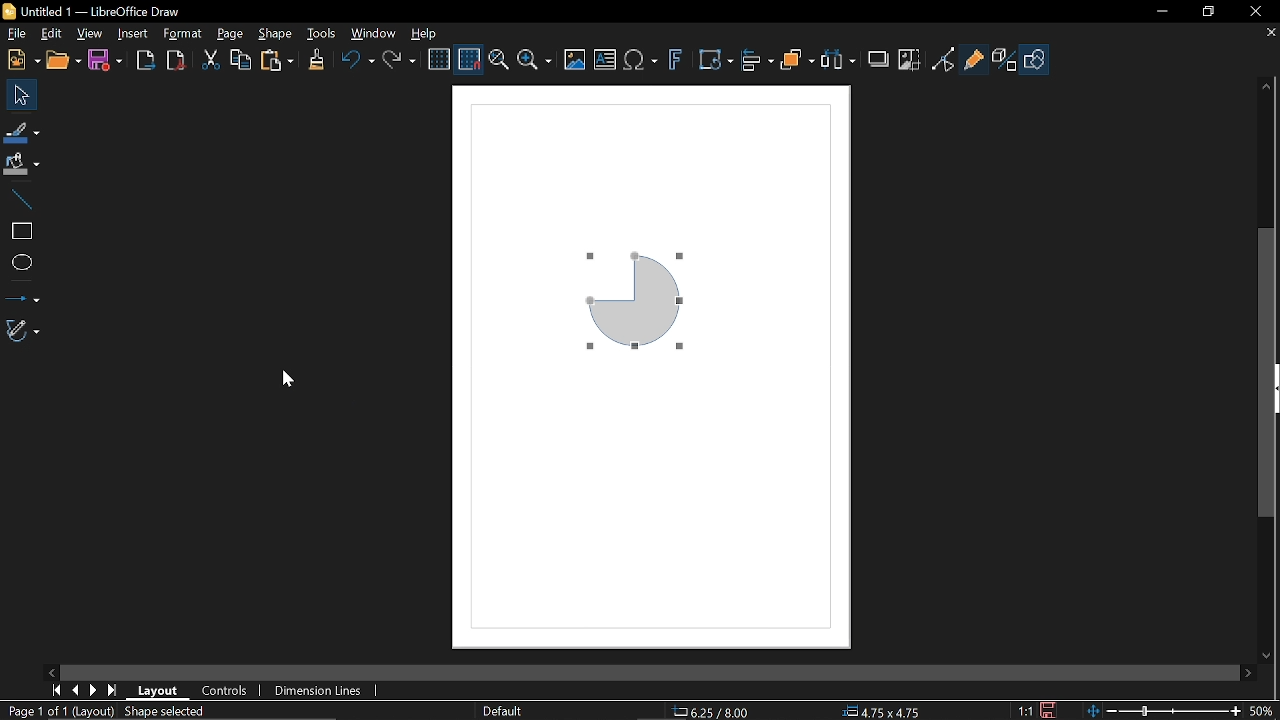  Describe the element at coordinates (506, 711) in the screenshot. I see `Default(Slide master name)` at that location.